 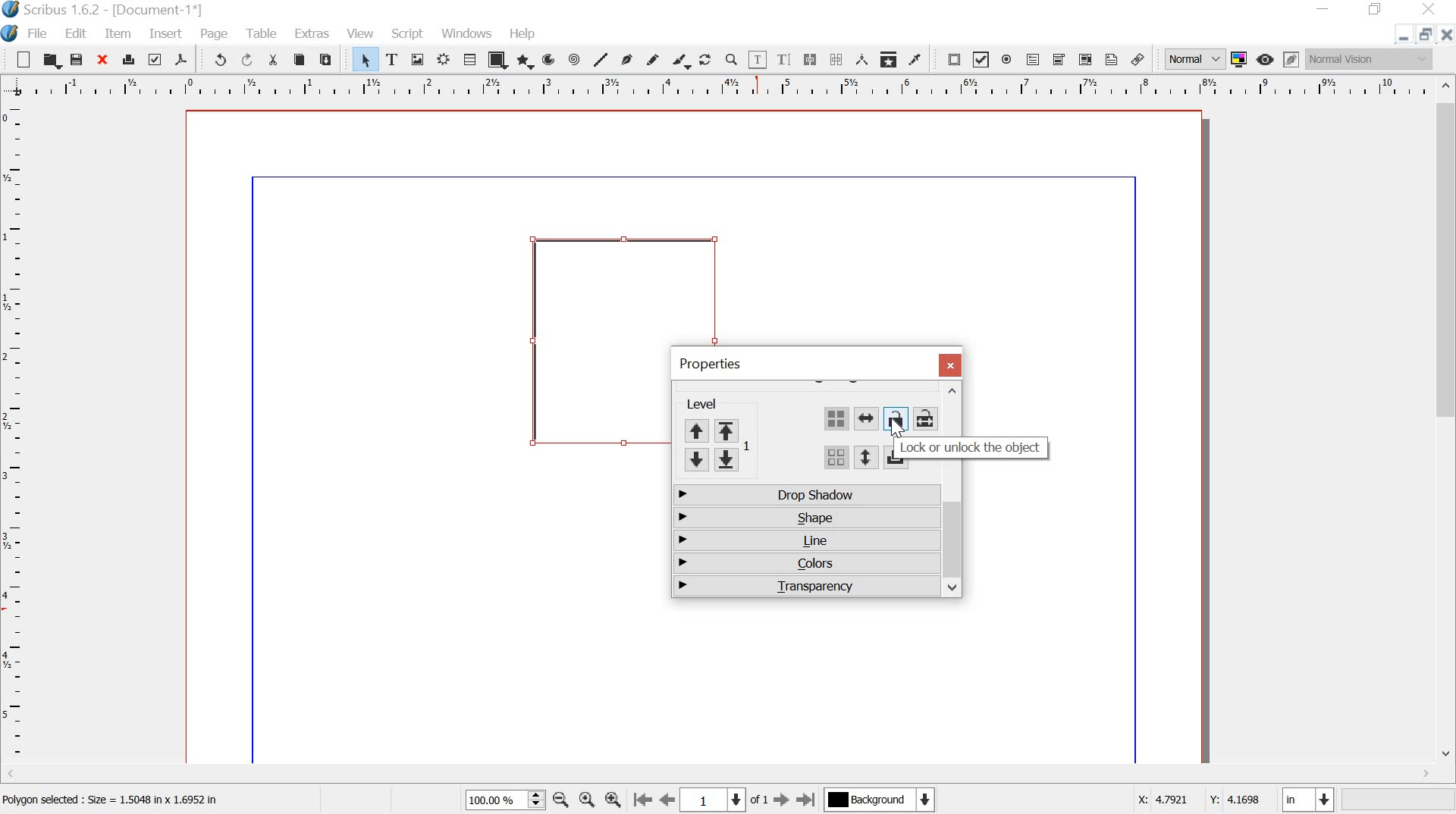 What do you see at coordinates (467, 33) in the screenshot?
I see `windows` at bounding box center [467, 33].